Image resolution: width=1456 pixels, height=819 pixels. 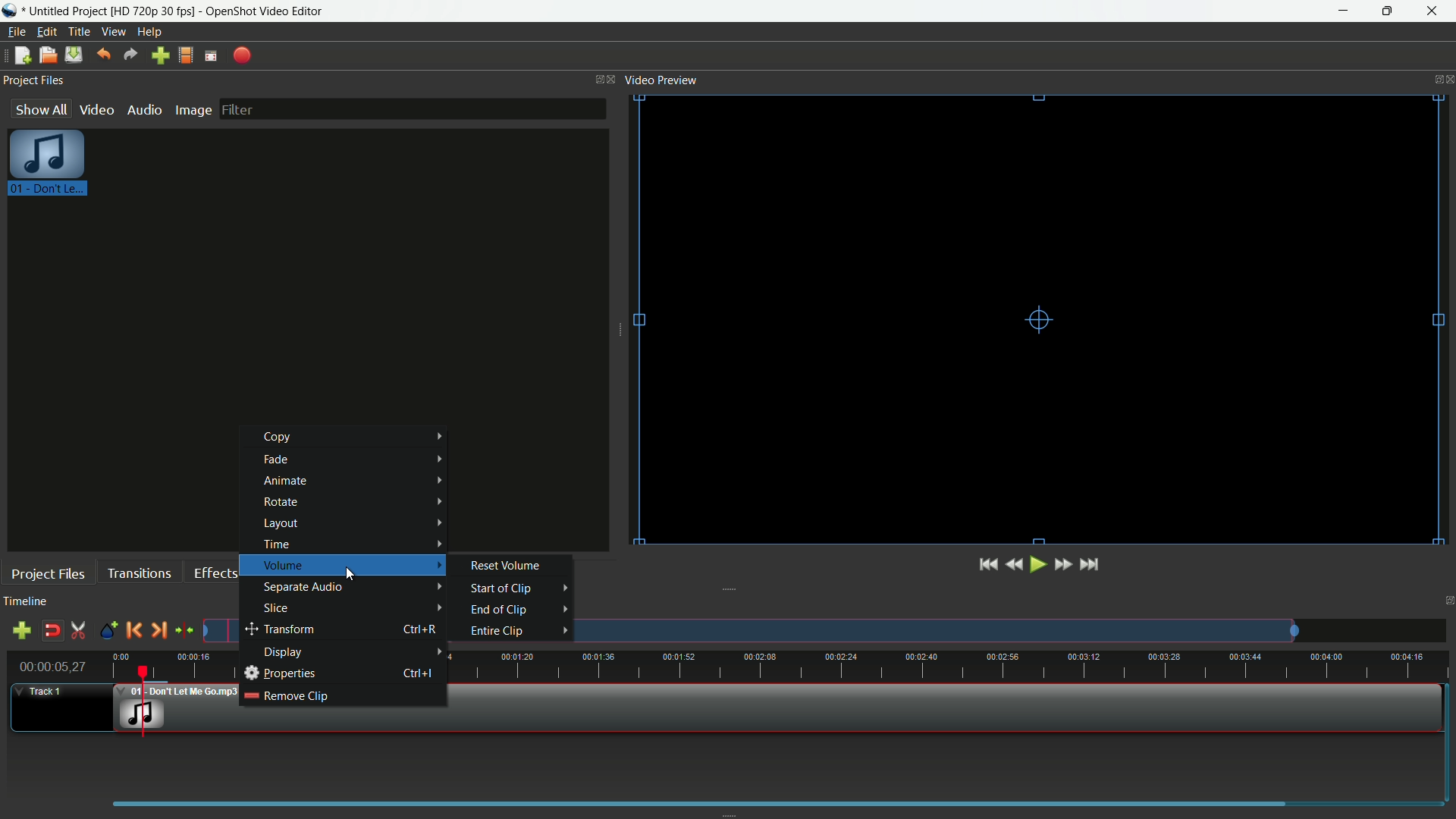 I want to click on keyboard shortcut, so click(x=419, y=631).